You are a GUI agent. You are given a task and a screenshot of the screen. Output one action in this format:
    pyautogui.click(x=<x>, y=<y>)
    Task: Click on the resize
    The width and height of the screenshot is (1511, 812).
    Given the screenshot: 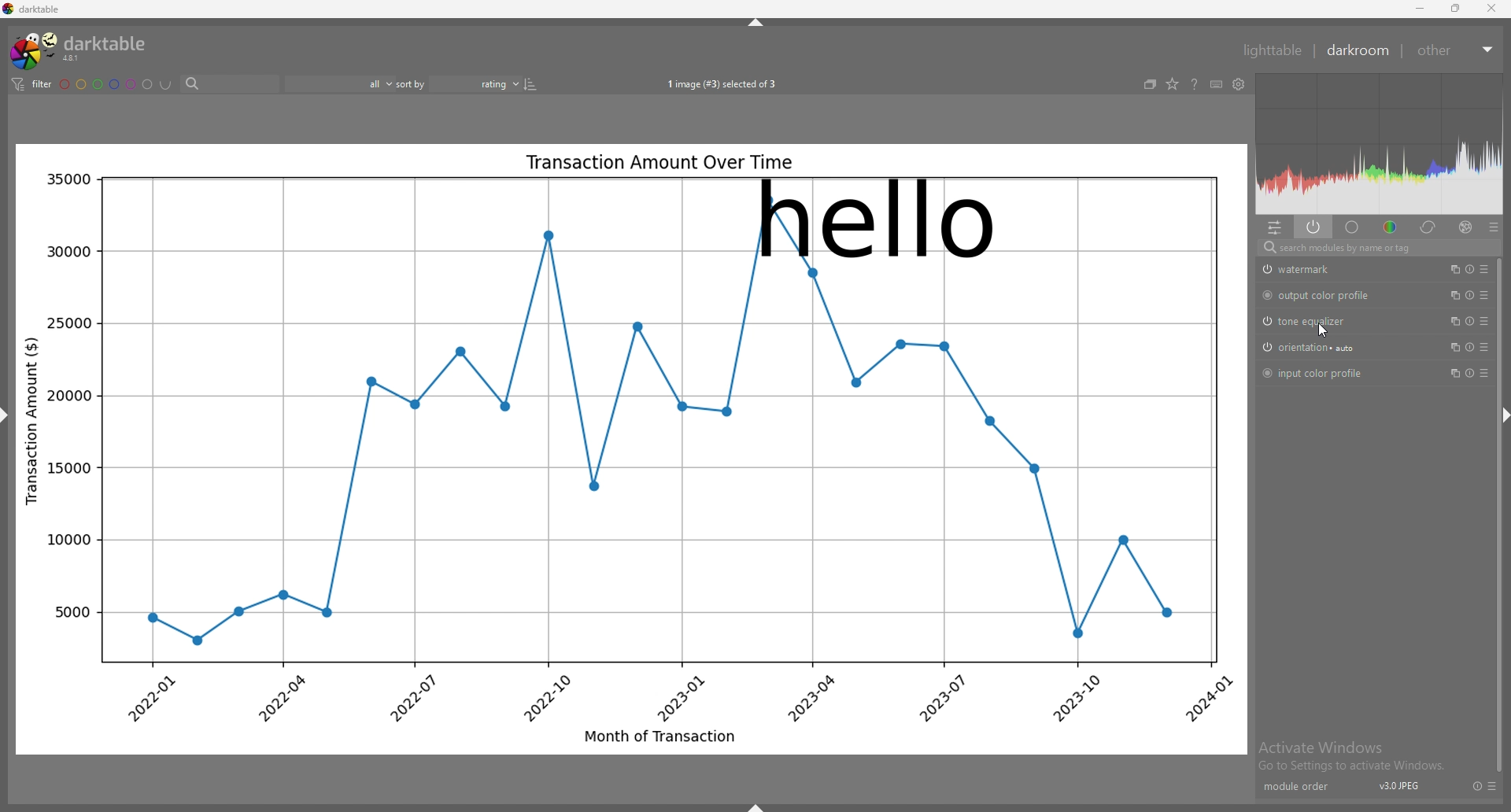 What is the action you would take?
    pyautogui.click(x=1454, y=9)
    